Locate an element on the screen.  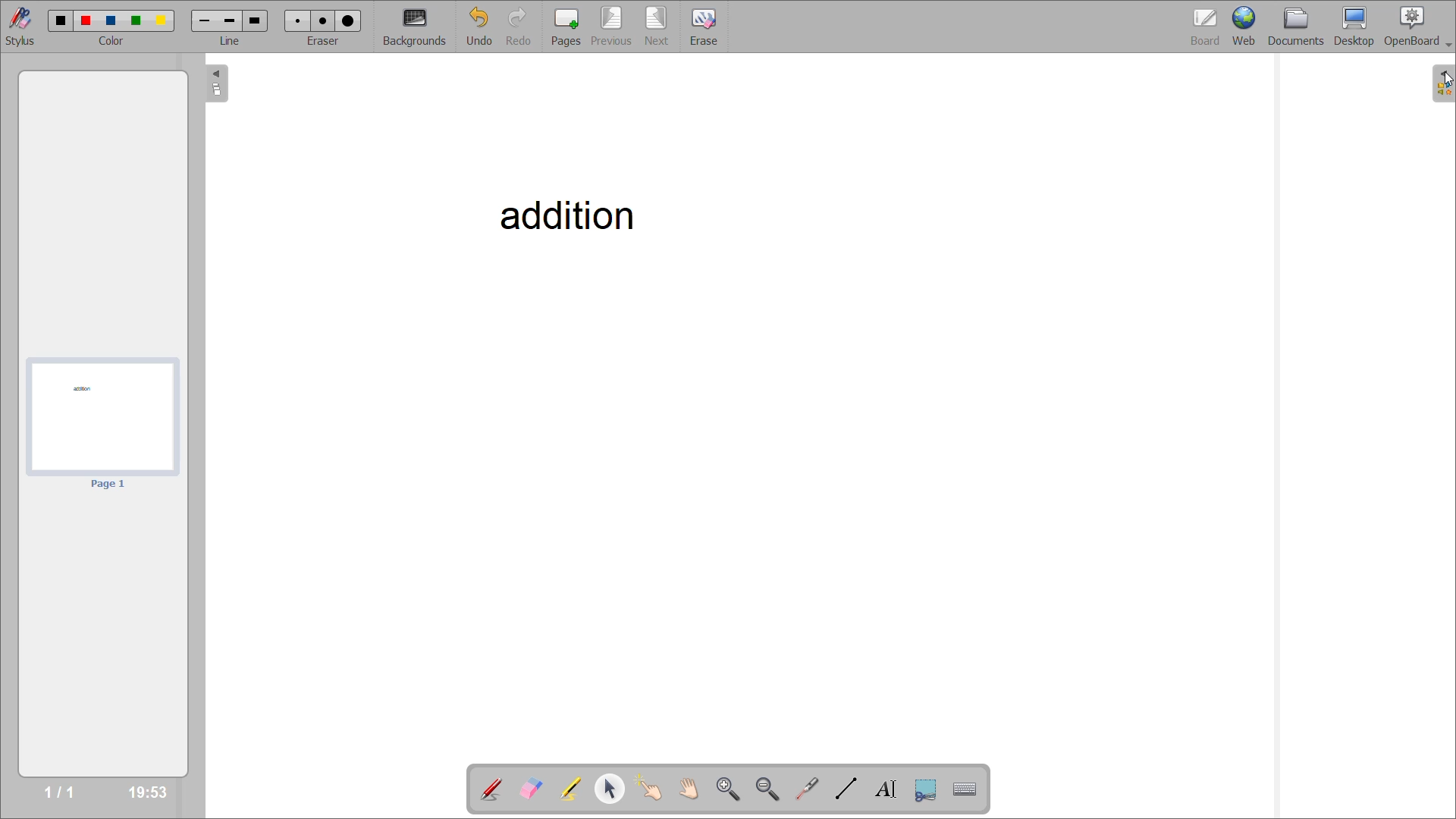
cursor is located at coordinates (1445, 81).